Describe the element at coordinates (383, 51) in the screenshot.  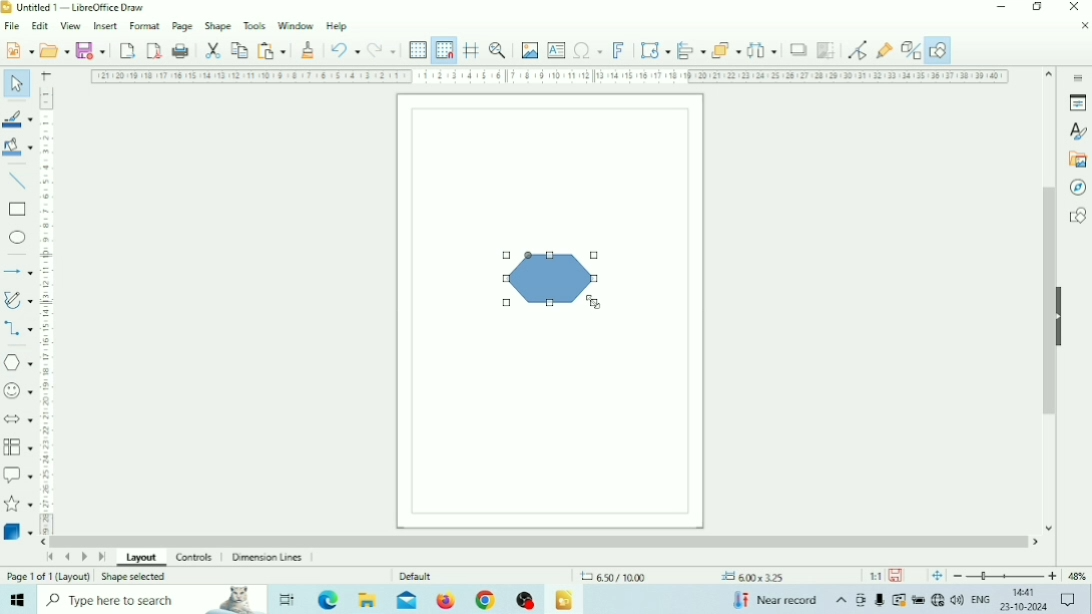
I see `Redo` at that location.